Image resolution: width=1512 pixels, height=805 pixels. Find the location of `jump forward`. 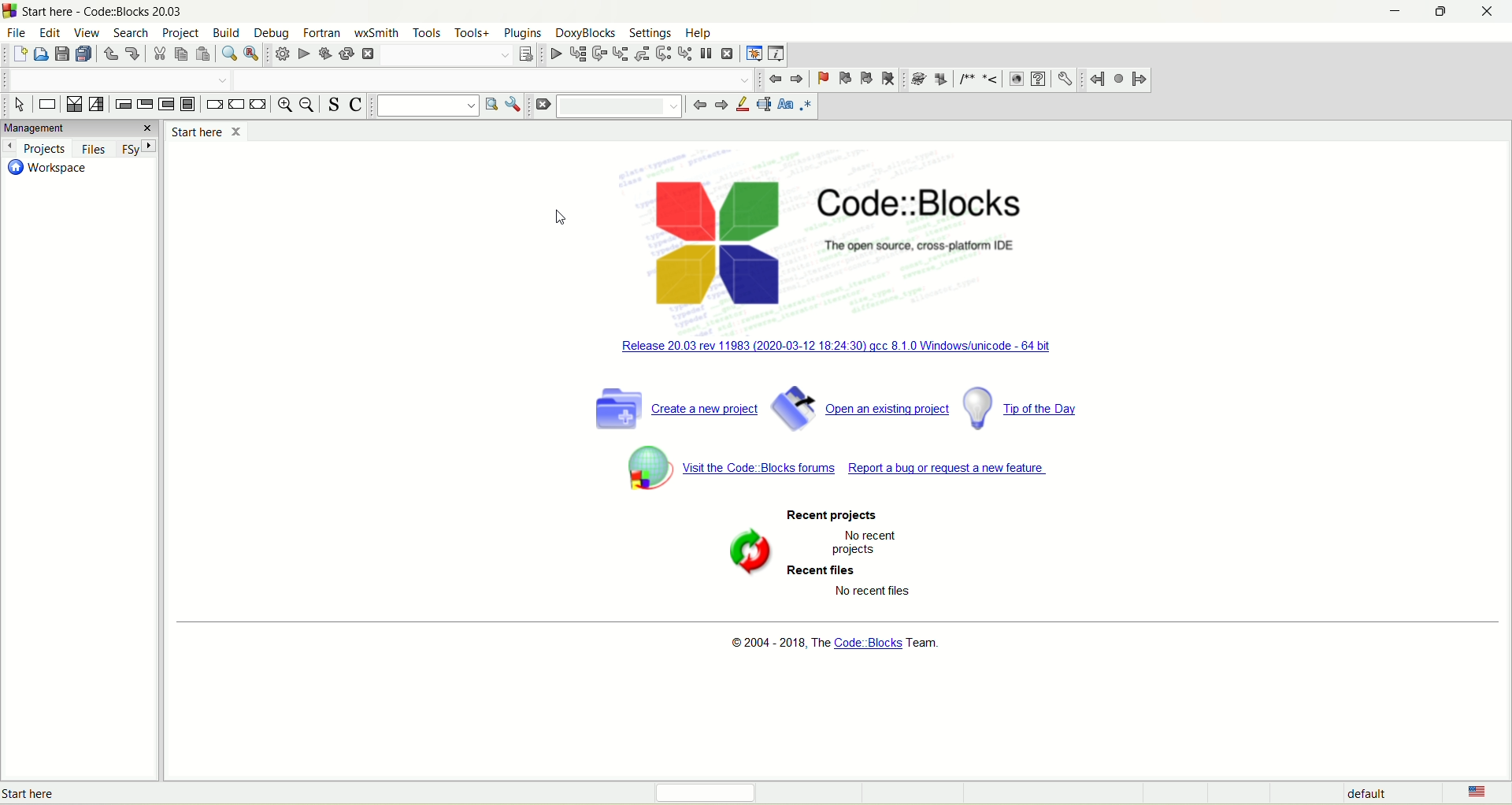

jump forward is located at coordinates (1141, 80).